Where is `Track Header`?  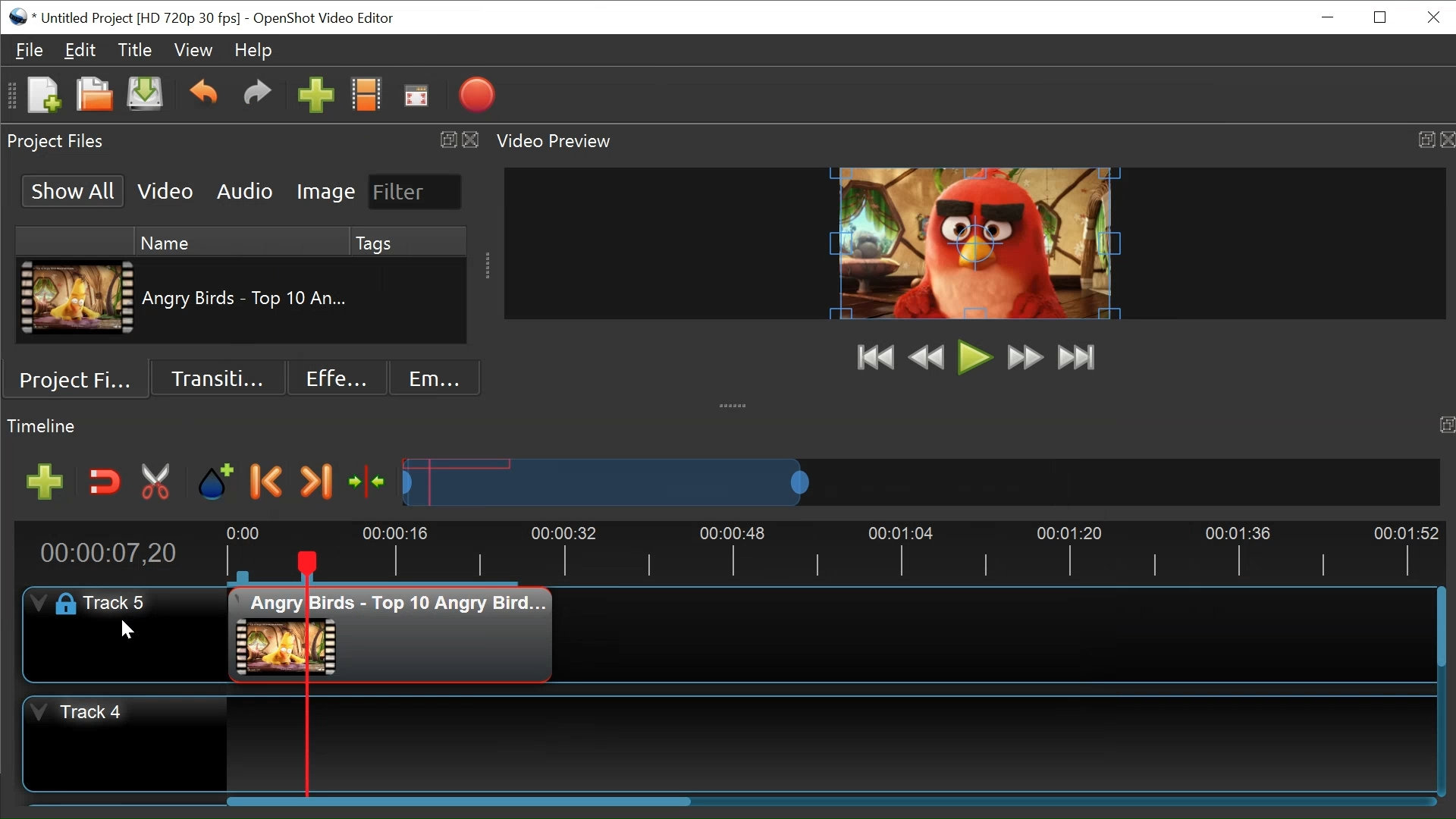
Track Header is located at coordinates (122, 604).